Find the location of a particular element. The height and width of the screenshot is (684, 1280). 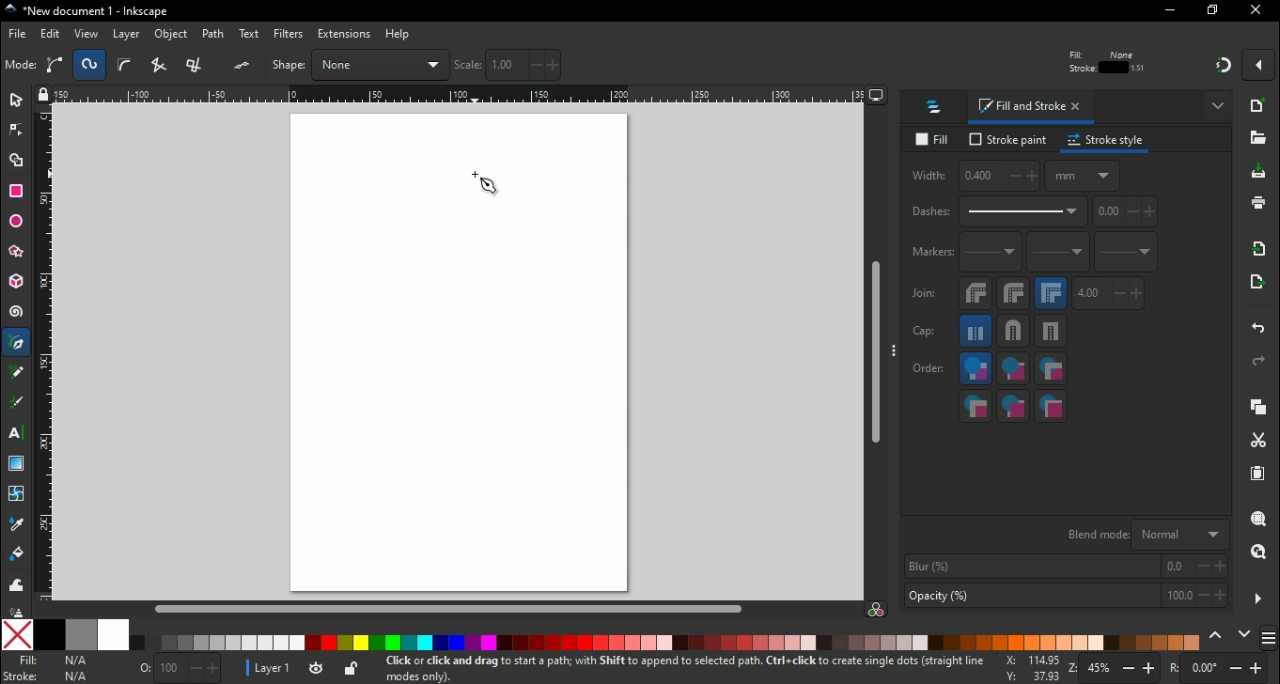

pattern offset is located at coordinates (1128, 214).